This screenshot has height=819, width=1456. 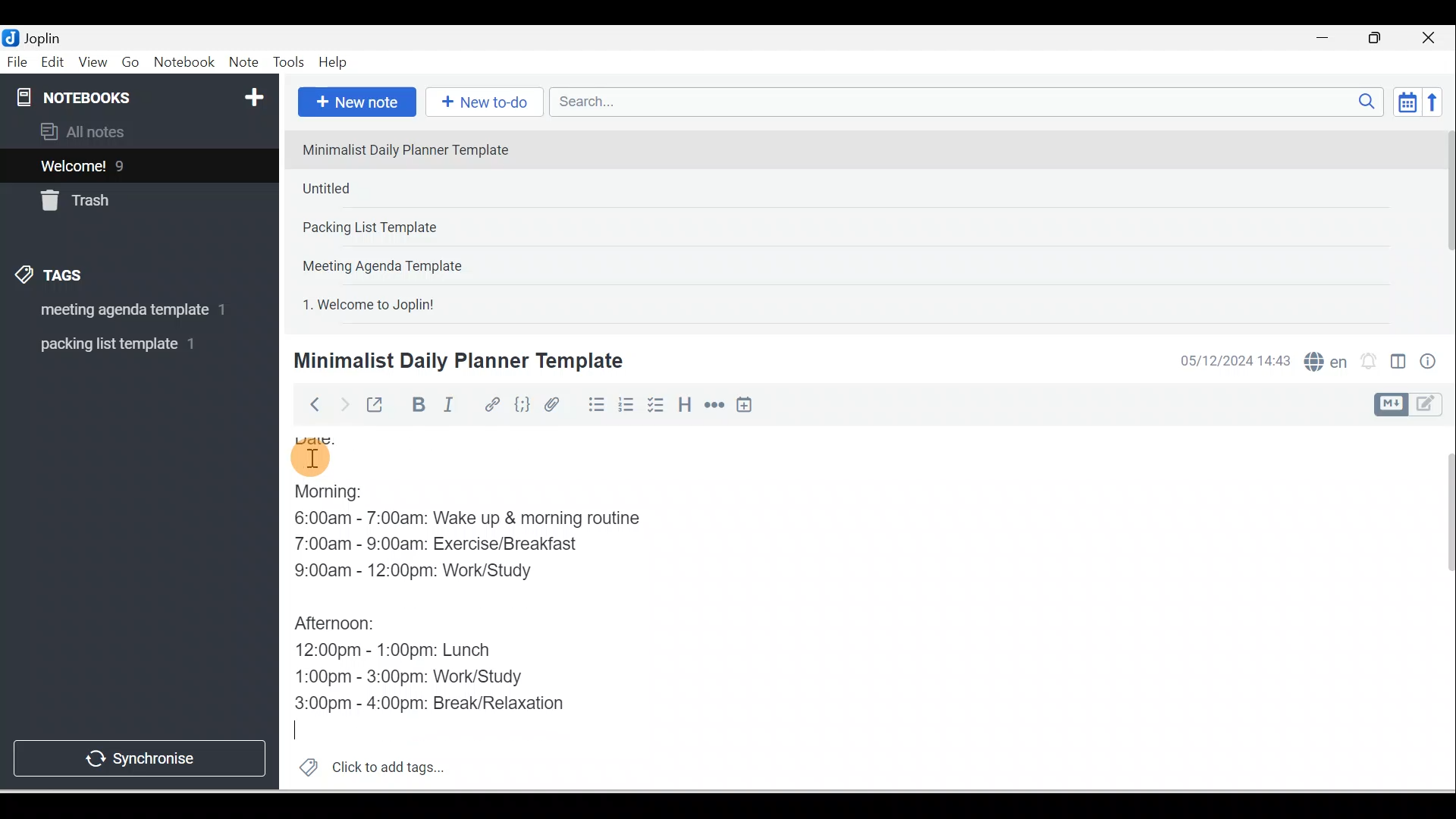 What do you see at coordinates (481, 103) in the screenshot?
I see `New to-do` at bounding box center [481, 103].